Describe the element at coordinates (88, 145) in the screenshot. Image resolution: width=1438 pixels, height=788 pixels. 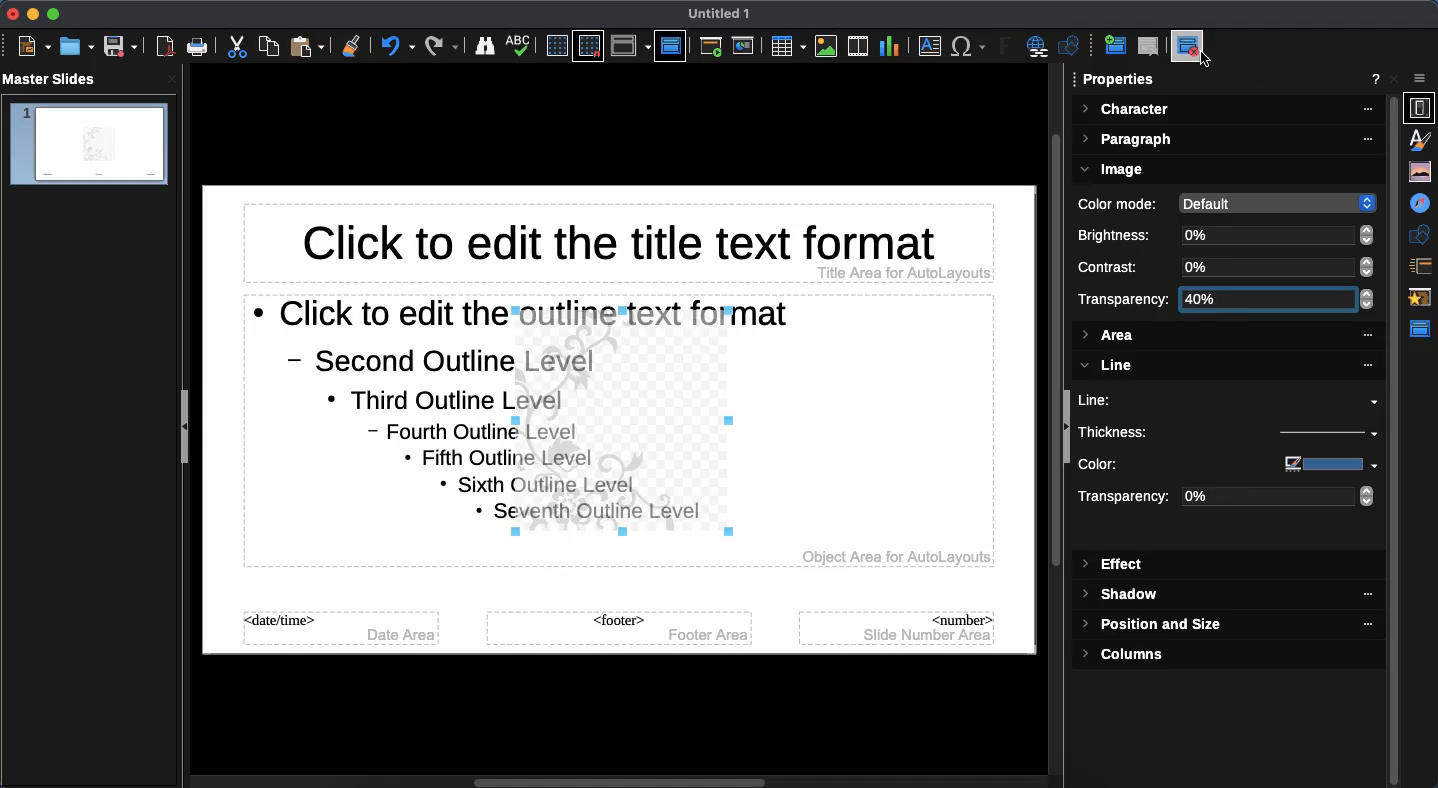
I see `slide 1` at that location.